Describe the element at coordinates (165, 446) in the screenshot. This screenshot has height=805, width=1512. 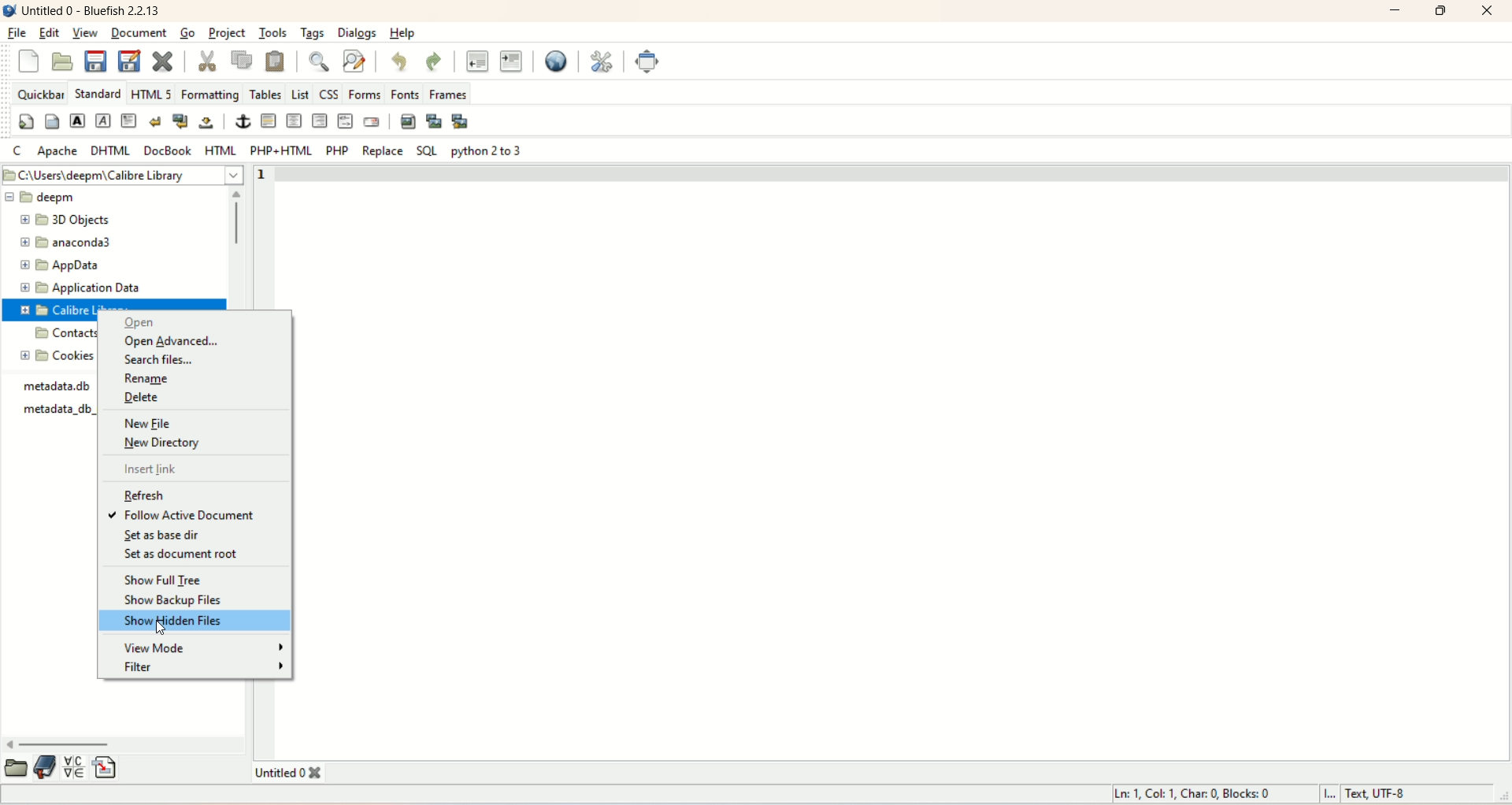
I see `new directory` at that location.